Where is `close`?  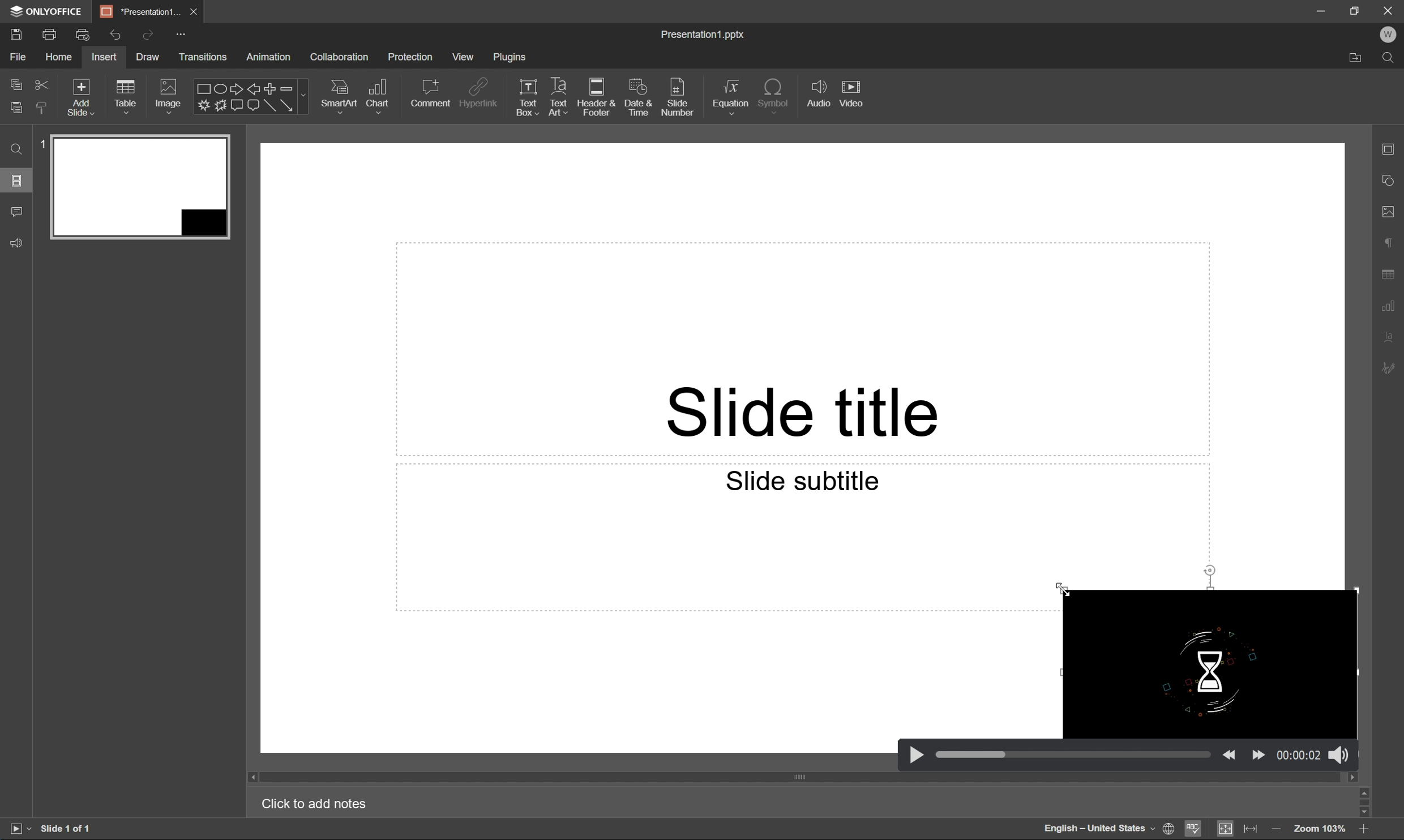
close is located at coordinates (196, 11).